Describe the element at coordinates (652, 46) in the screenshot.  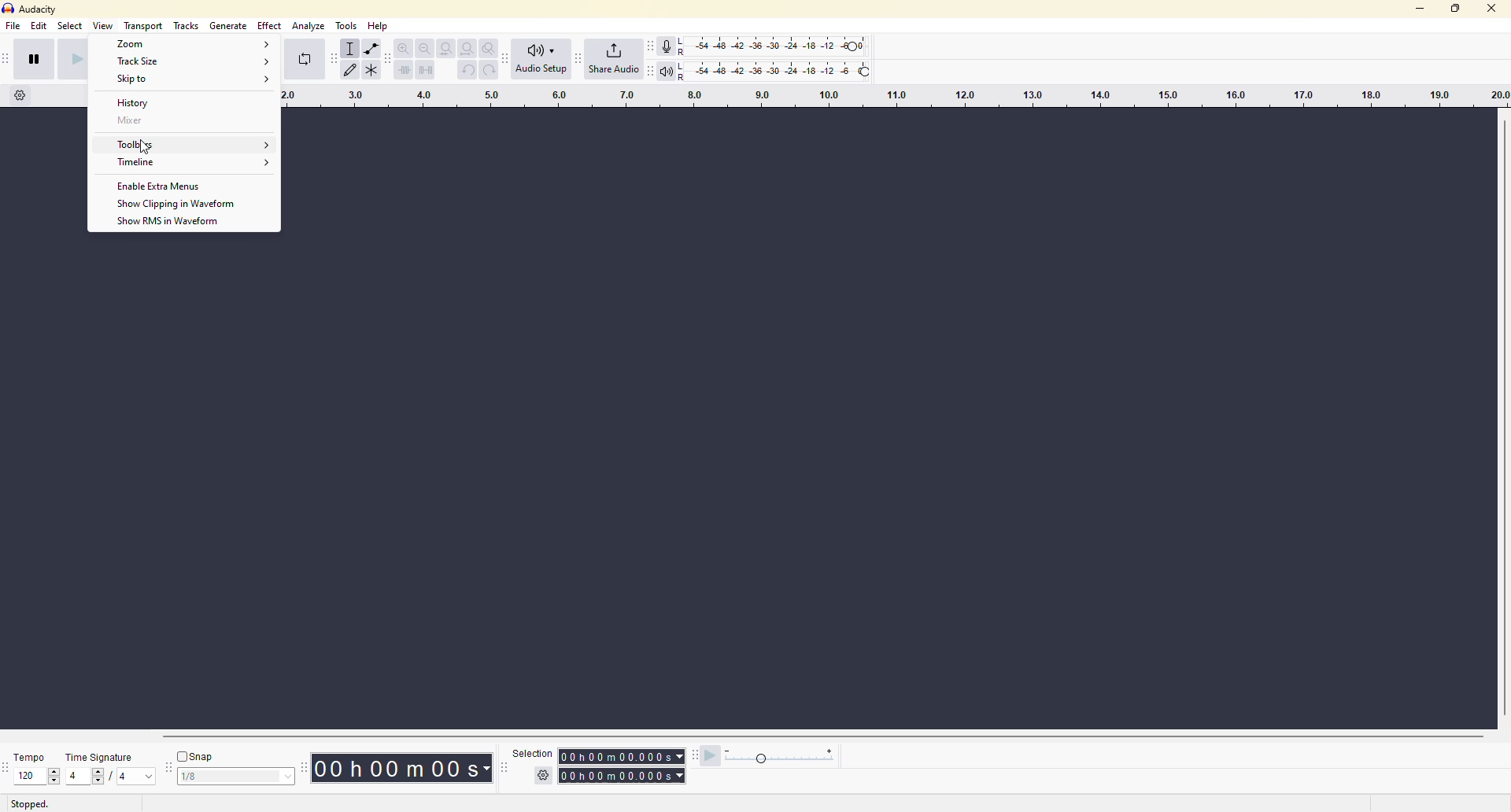
I see `audacity recording meter toolbar` at that location.